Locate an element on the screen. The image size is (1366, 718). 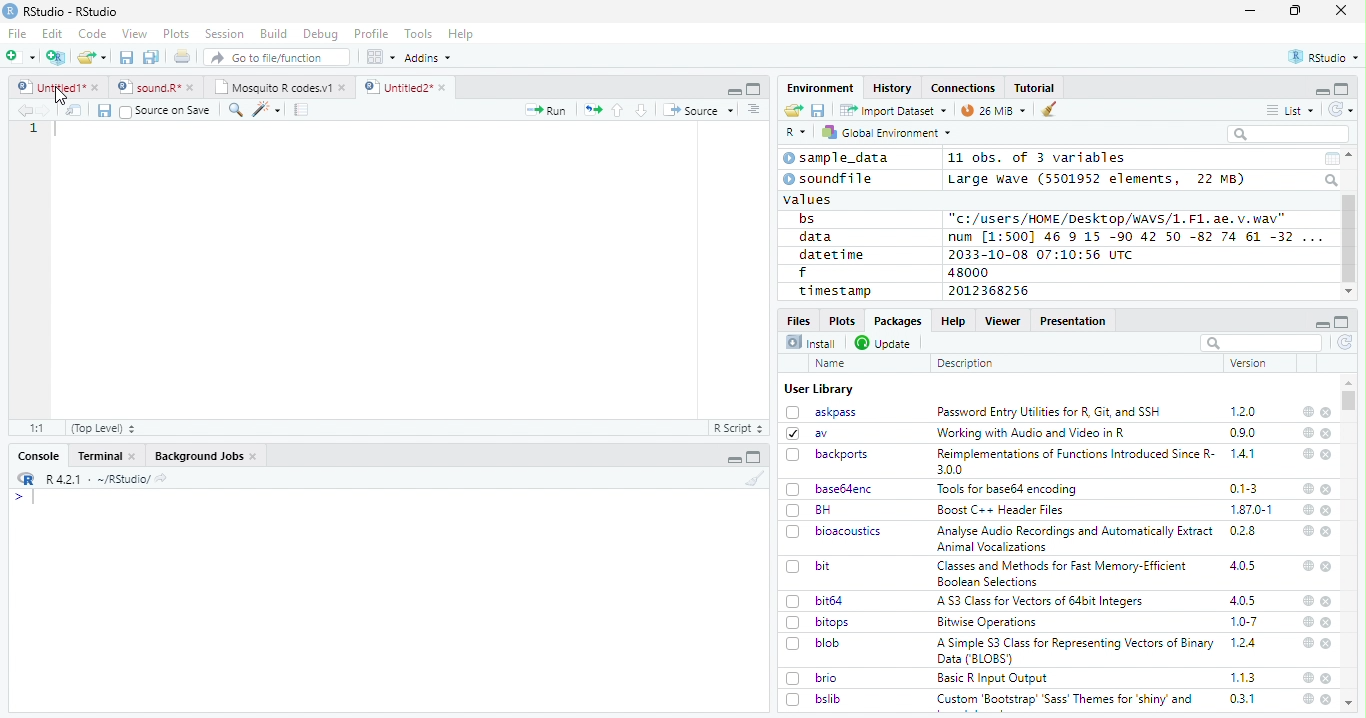
New file is located at coordinates (22, 57).